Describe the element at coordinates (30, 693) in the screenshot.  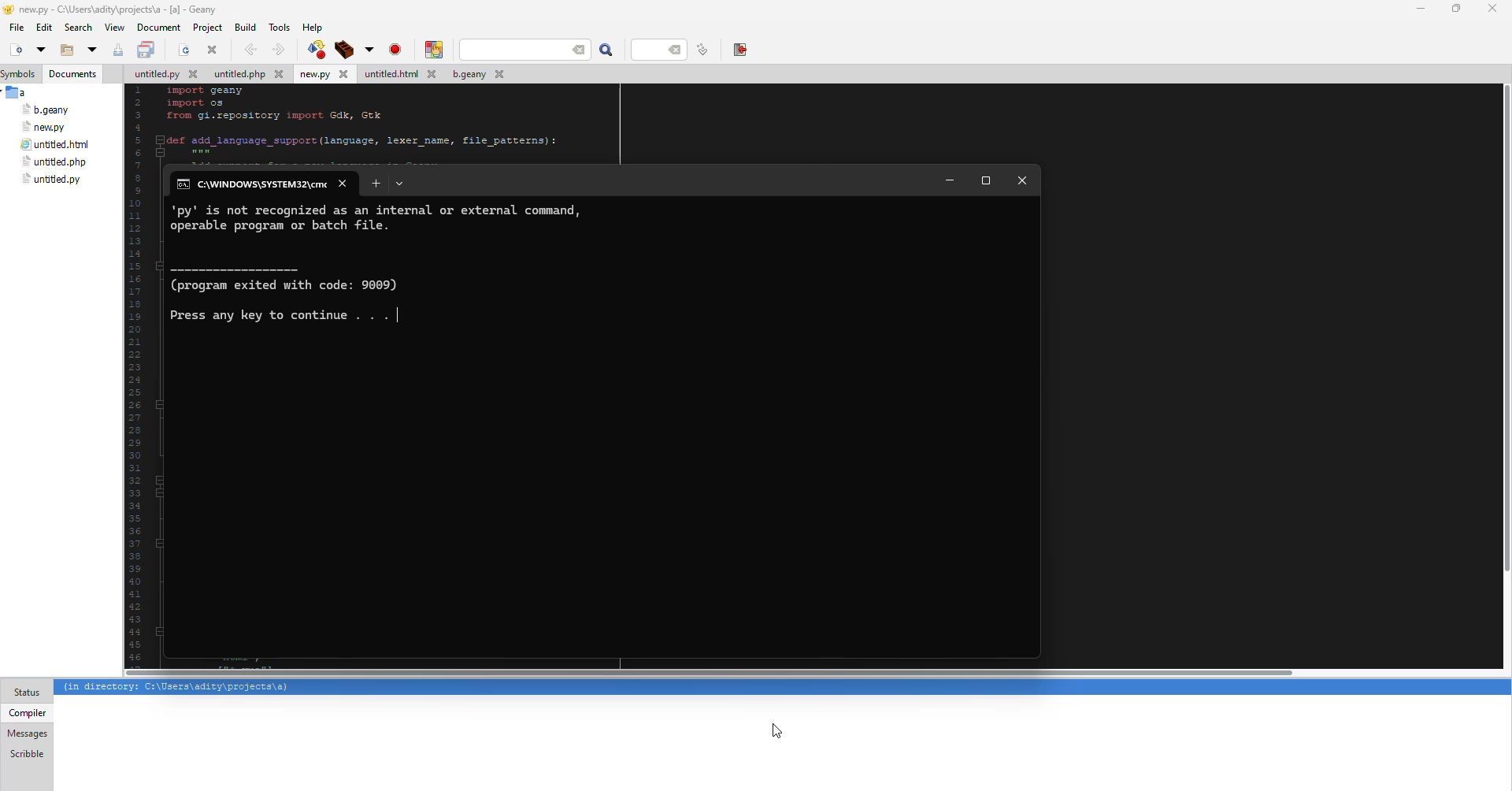
I see `status` at that location.